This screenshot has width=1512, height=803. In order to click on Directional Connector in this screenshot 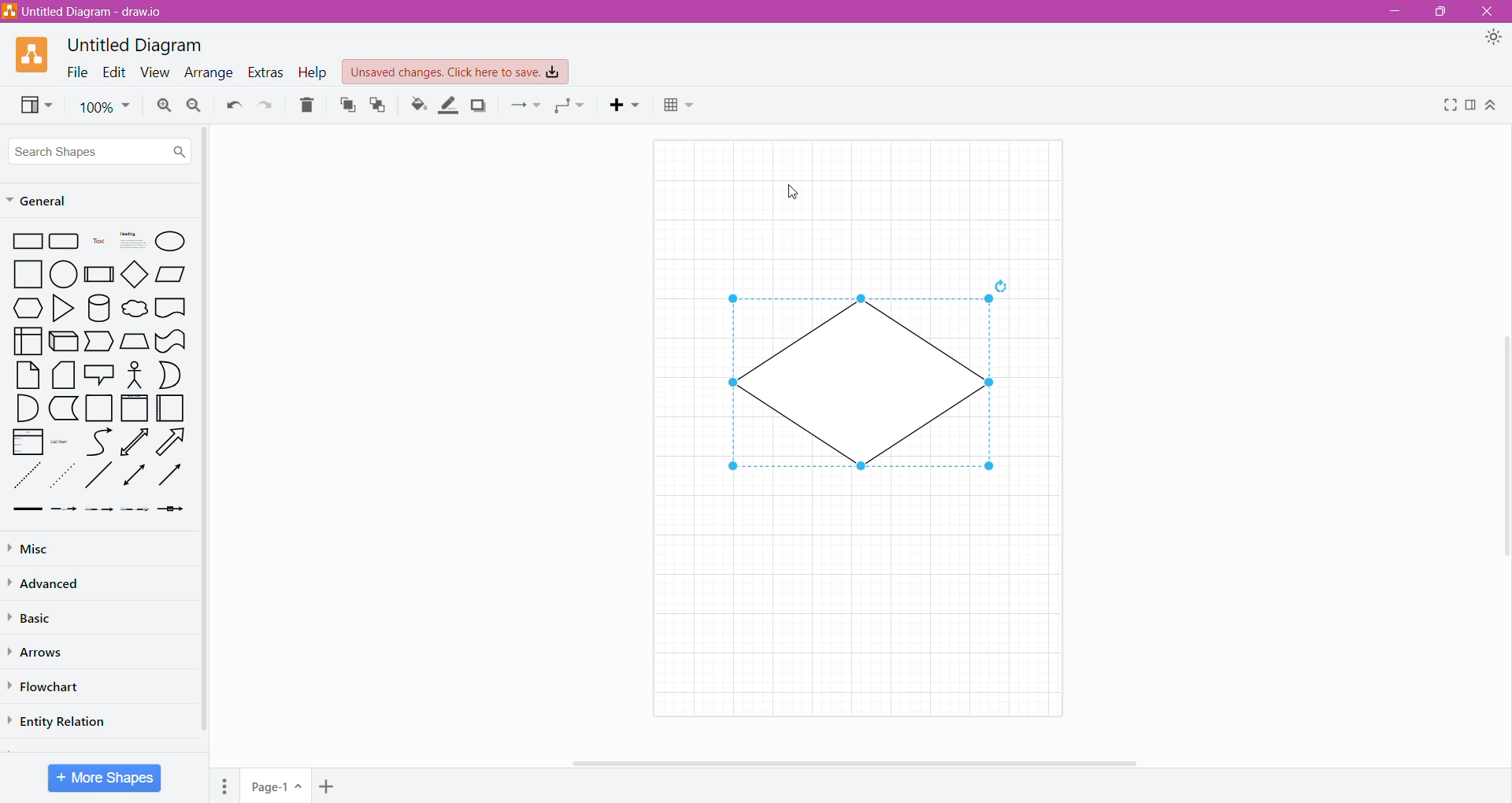, I will do `click(173, 479)`.